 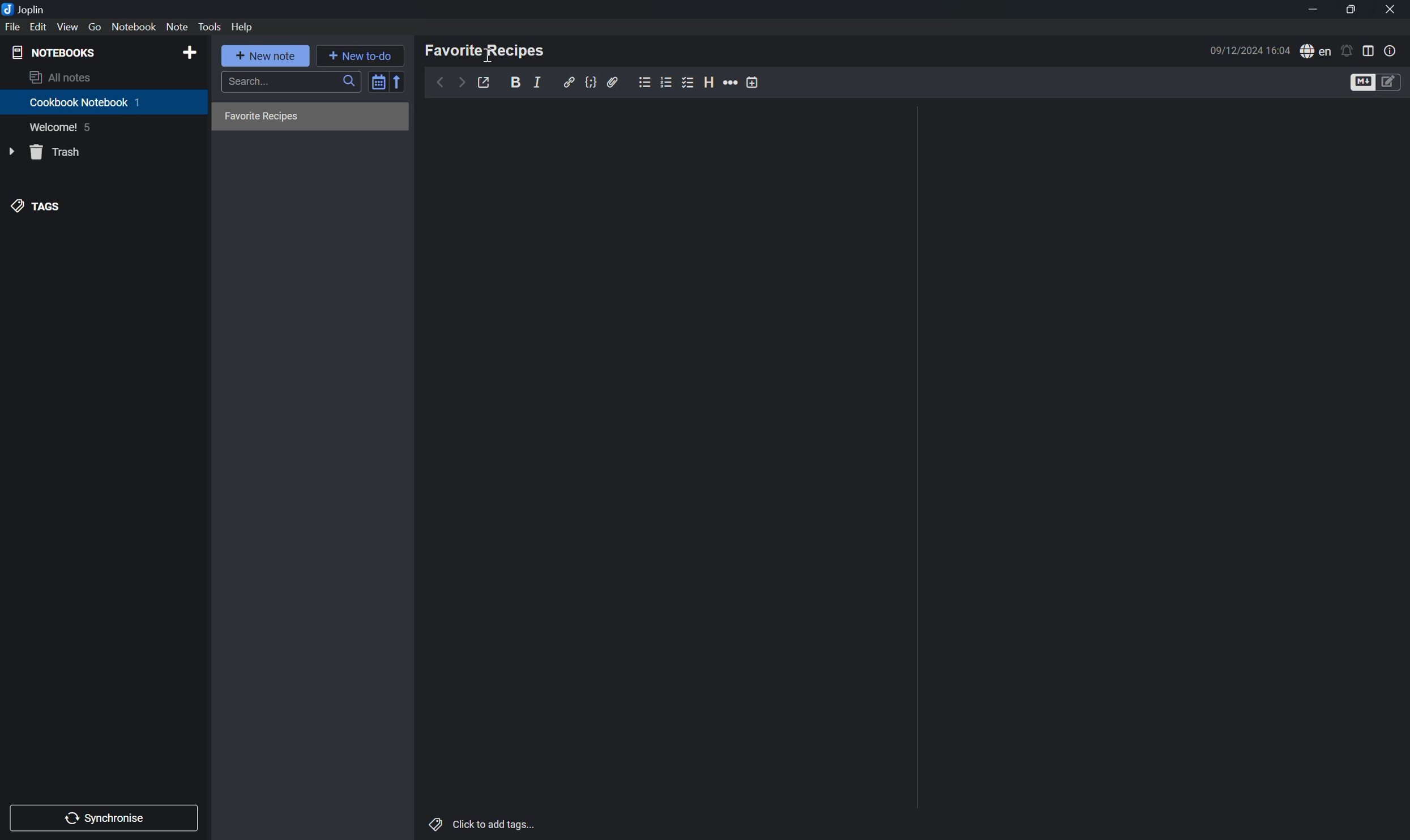 I want to click on Forward, so click(x=461, y=82).